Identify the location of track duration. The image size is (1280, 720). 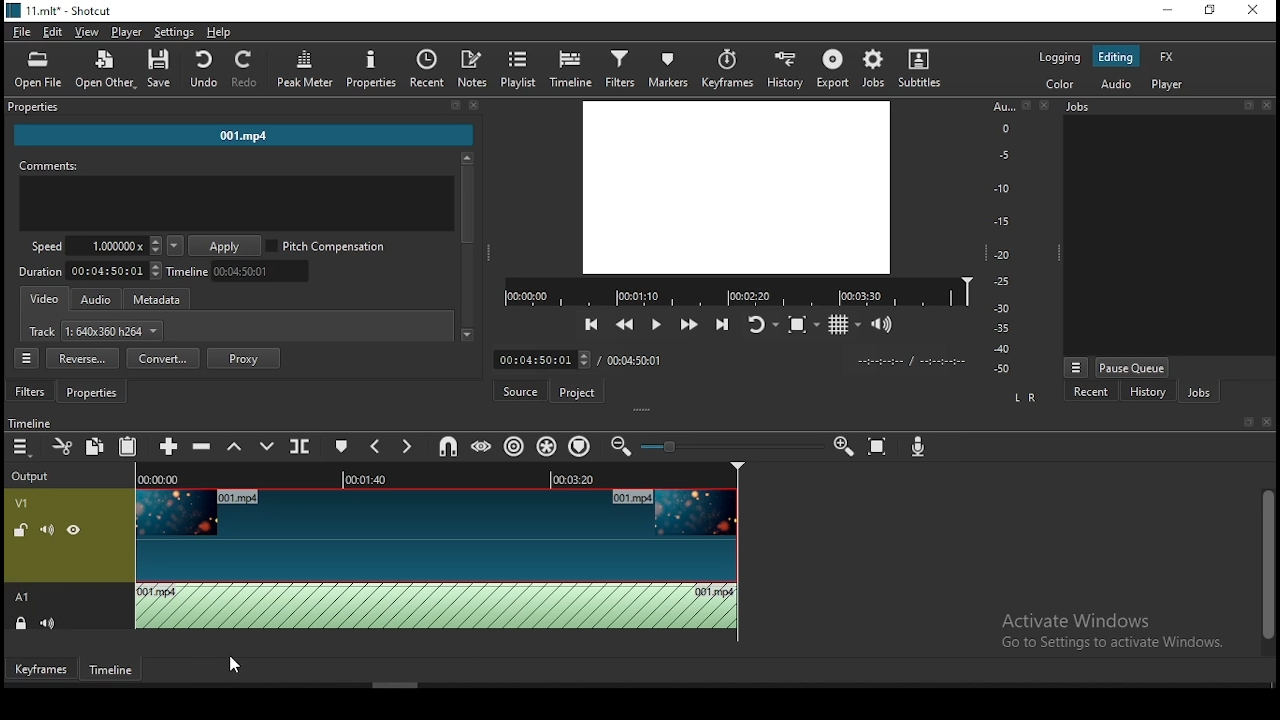
(91, 272).